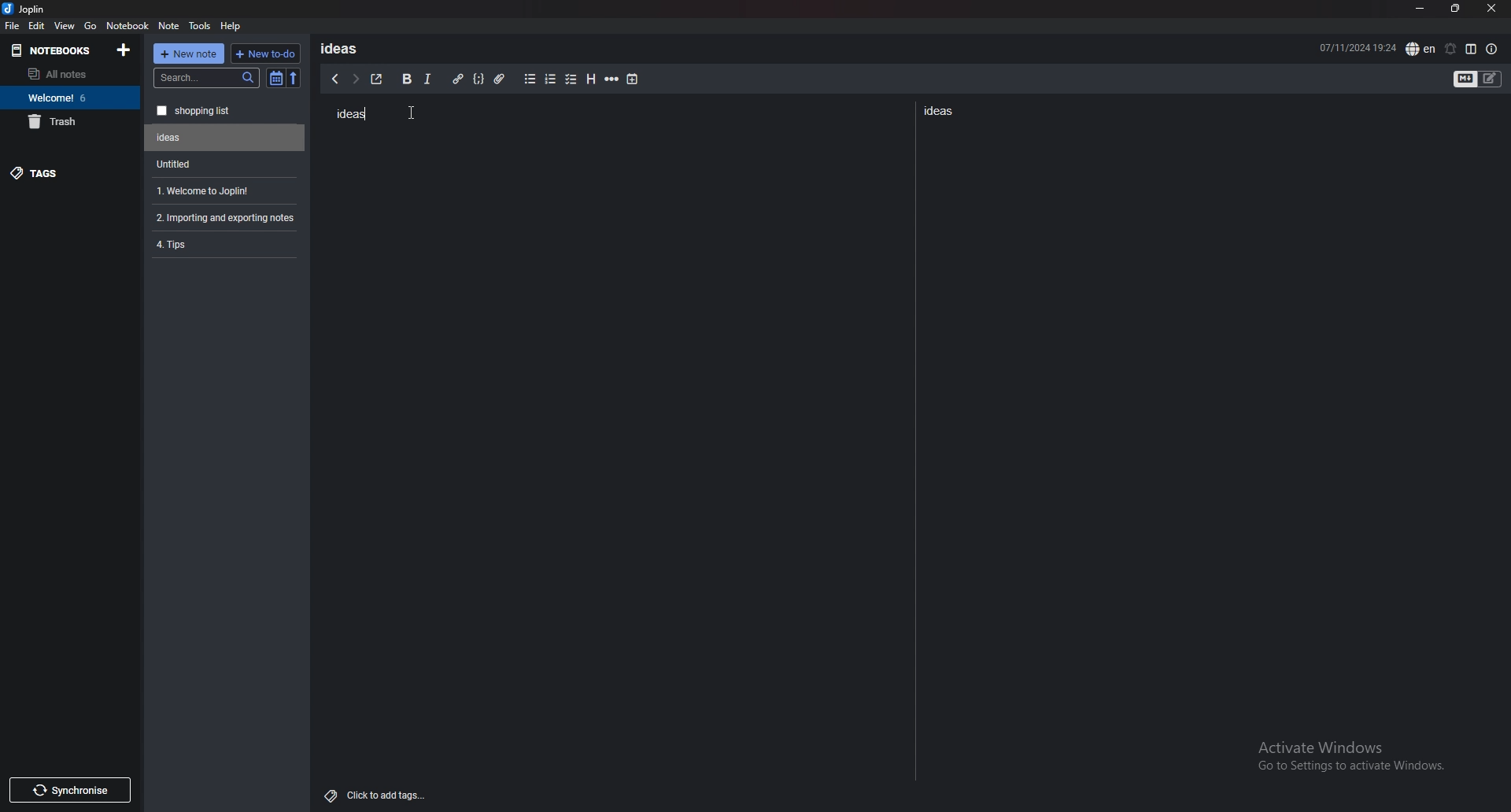 Image resolution: width=1511 pixels, height=812 pixels. Describe the element at coordinates (12, 25) in the screenshot. I see `file` at that location.